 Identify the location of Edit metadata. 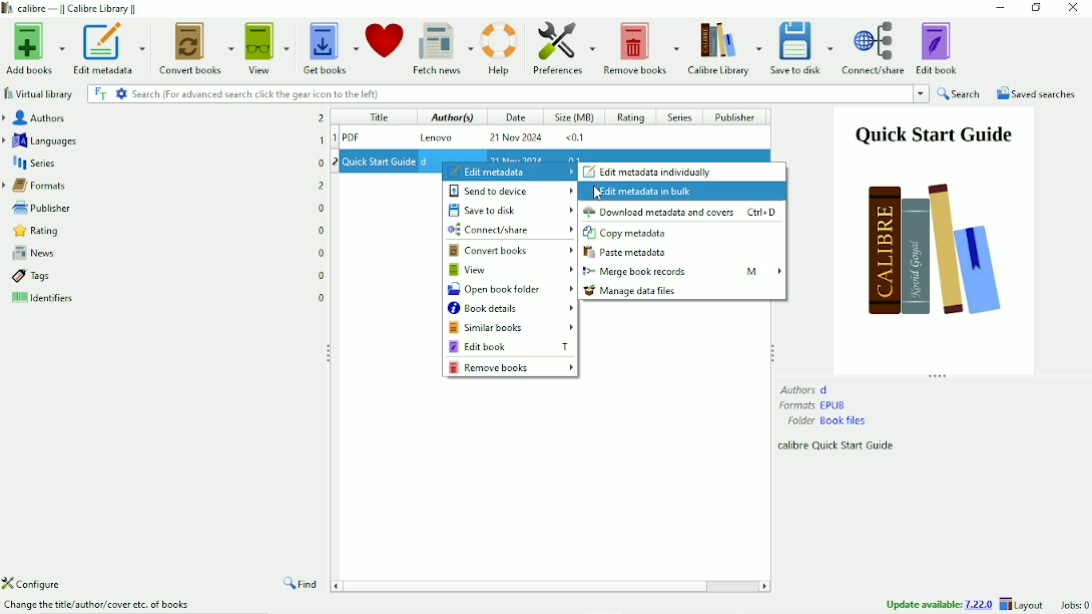
(509, 172).